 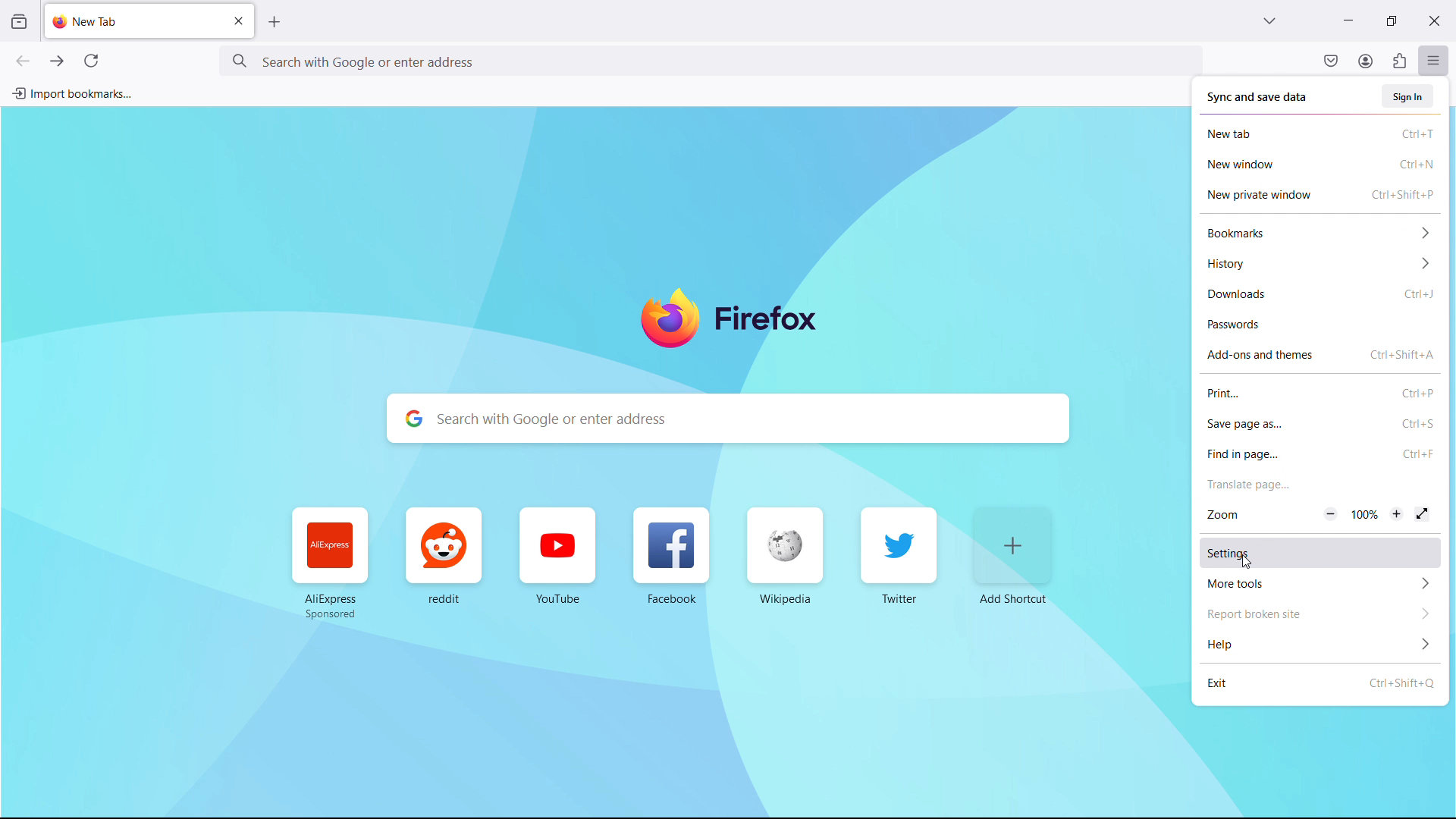 What do you see at coordinates (1320, 165) in the screenshot?
I see `new window` at bounding box center [1320, 165].